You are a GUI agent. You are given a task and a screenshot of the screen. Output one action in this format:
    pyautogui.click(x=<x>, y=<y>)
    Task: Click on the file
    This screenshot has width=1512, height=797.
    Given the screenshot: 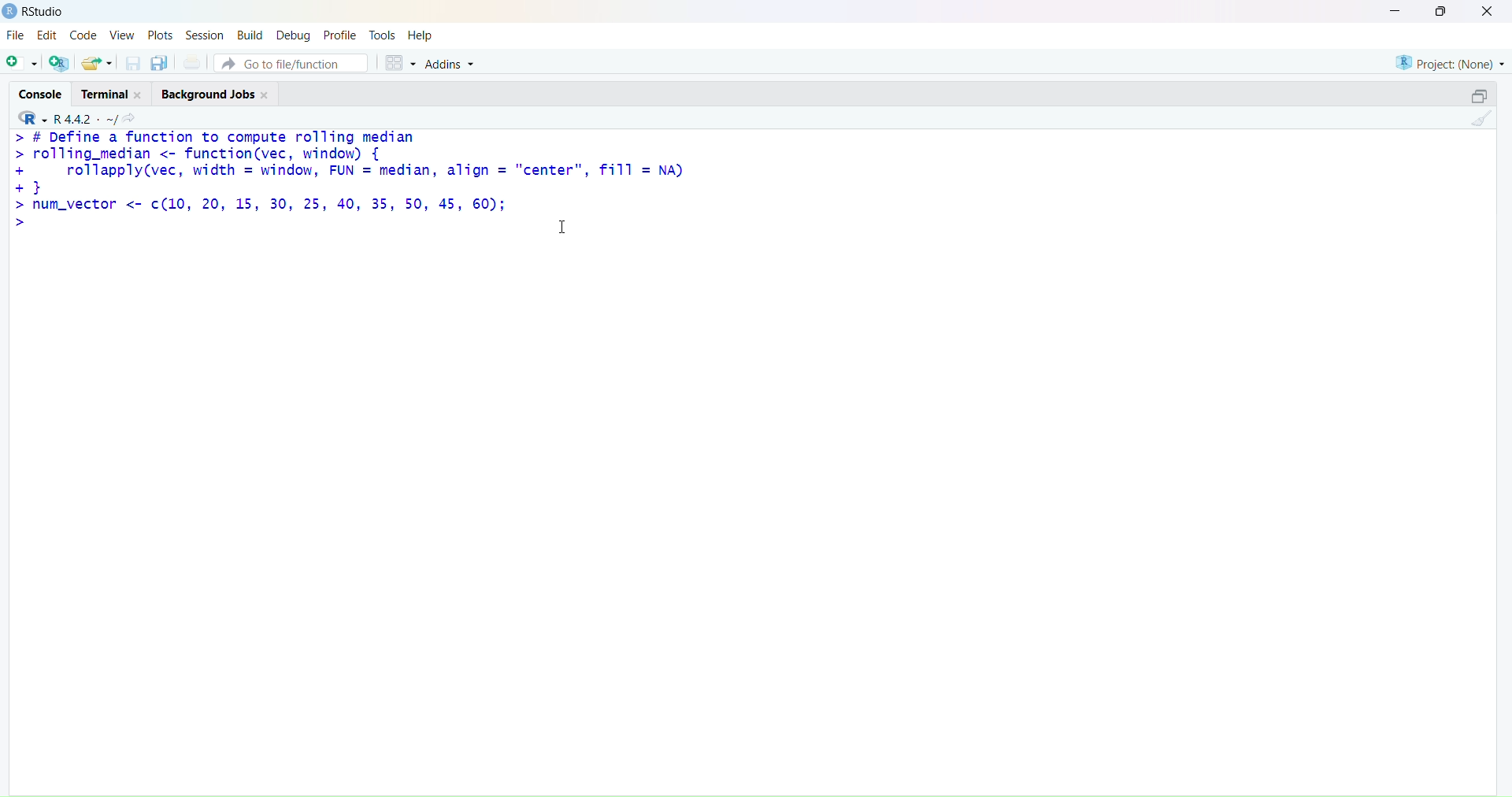 What is the action you would take?
    pyautogui.click(x=14, y=34)
    